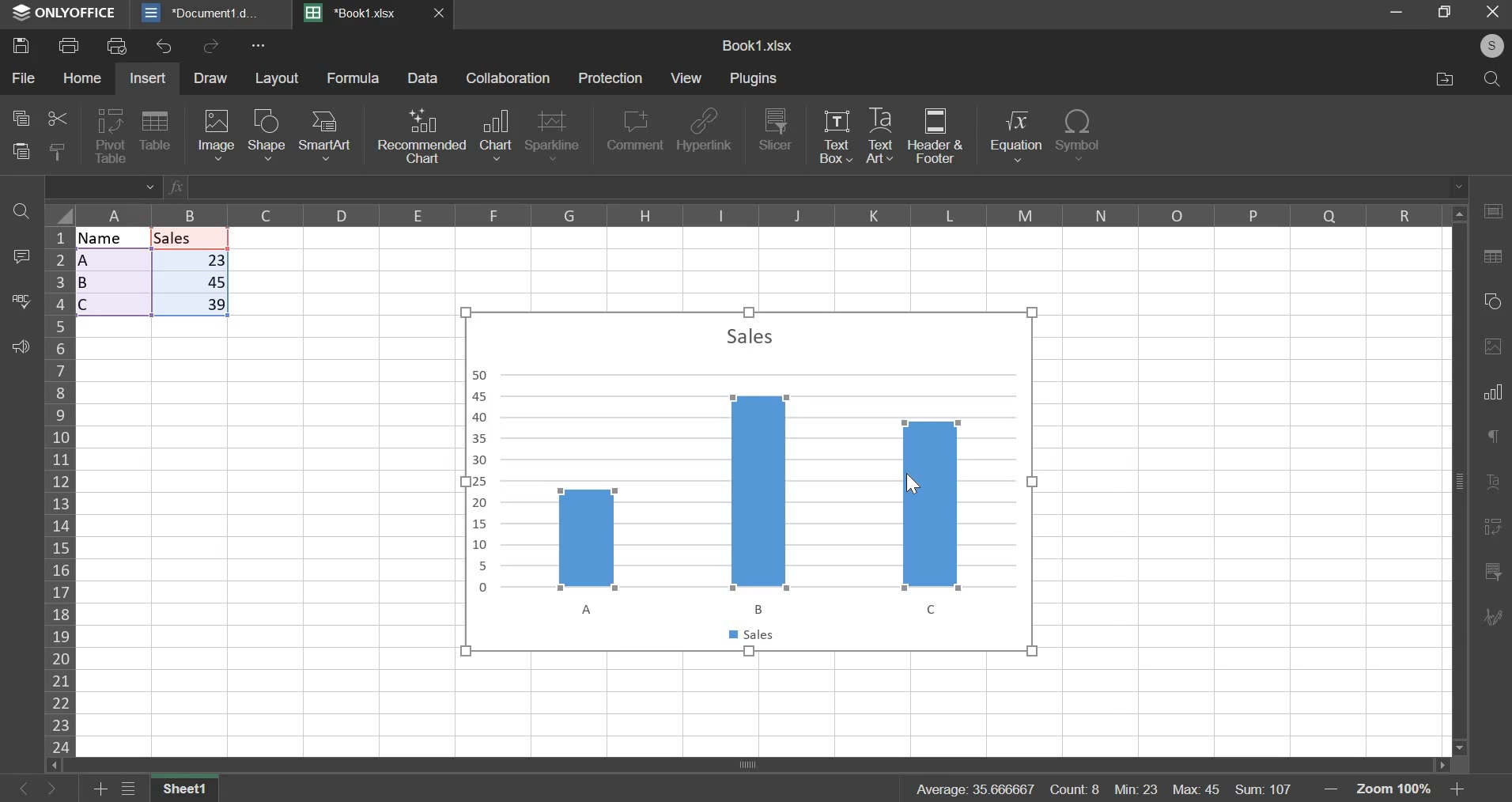  What do you see at coordinates (69, 45) in the screenshot?
I see `print` at bounding box center [69, 45].